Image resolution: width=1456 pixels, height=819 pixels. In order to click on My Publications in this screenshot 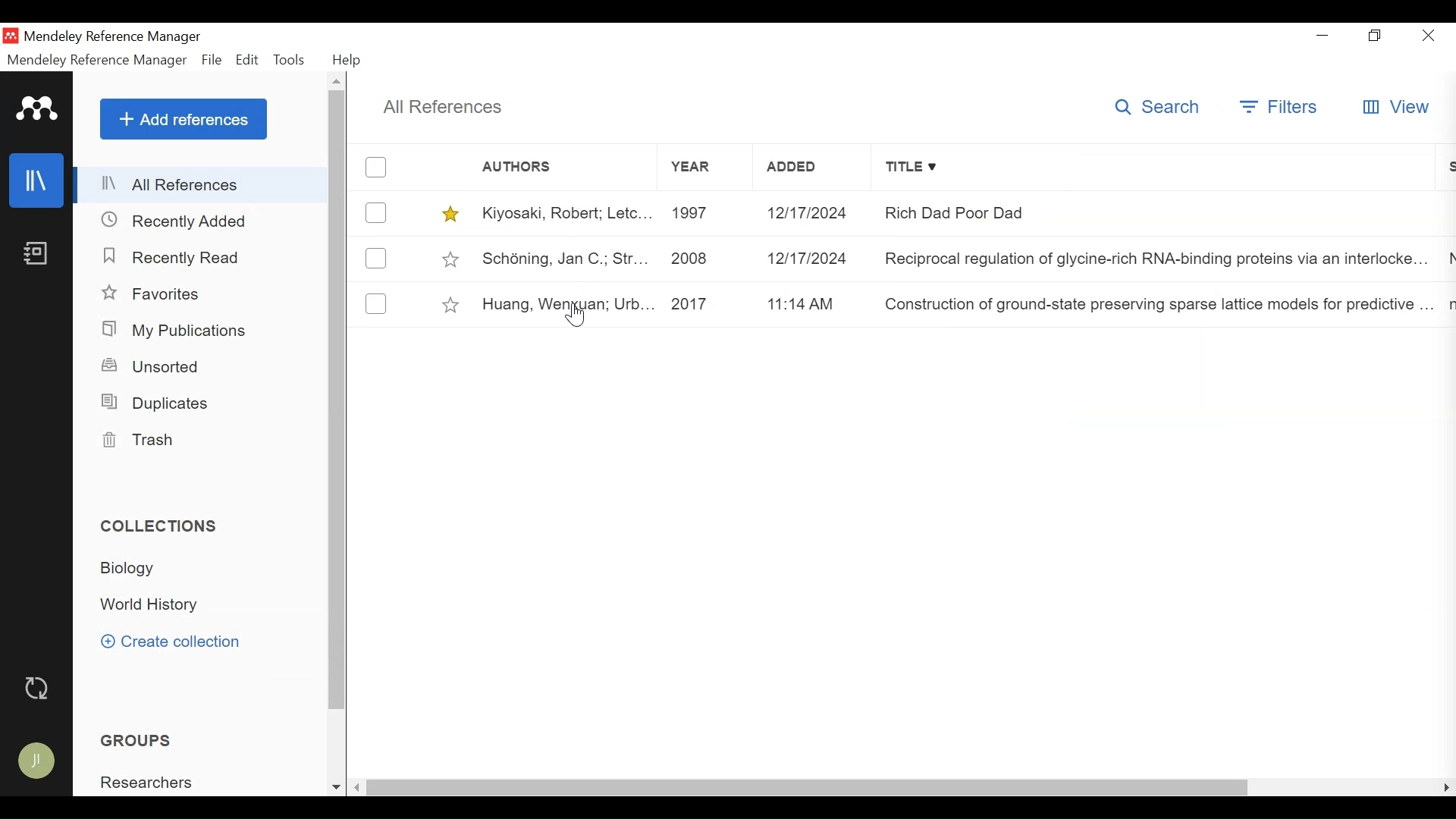, I will do `click(178, 329)`.